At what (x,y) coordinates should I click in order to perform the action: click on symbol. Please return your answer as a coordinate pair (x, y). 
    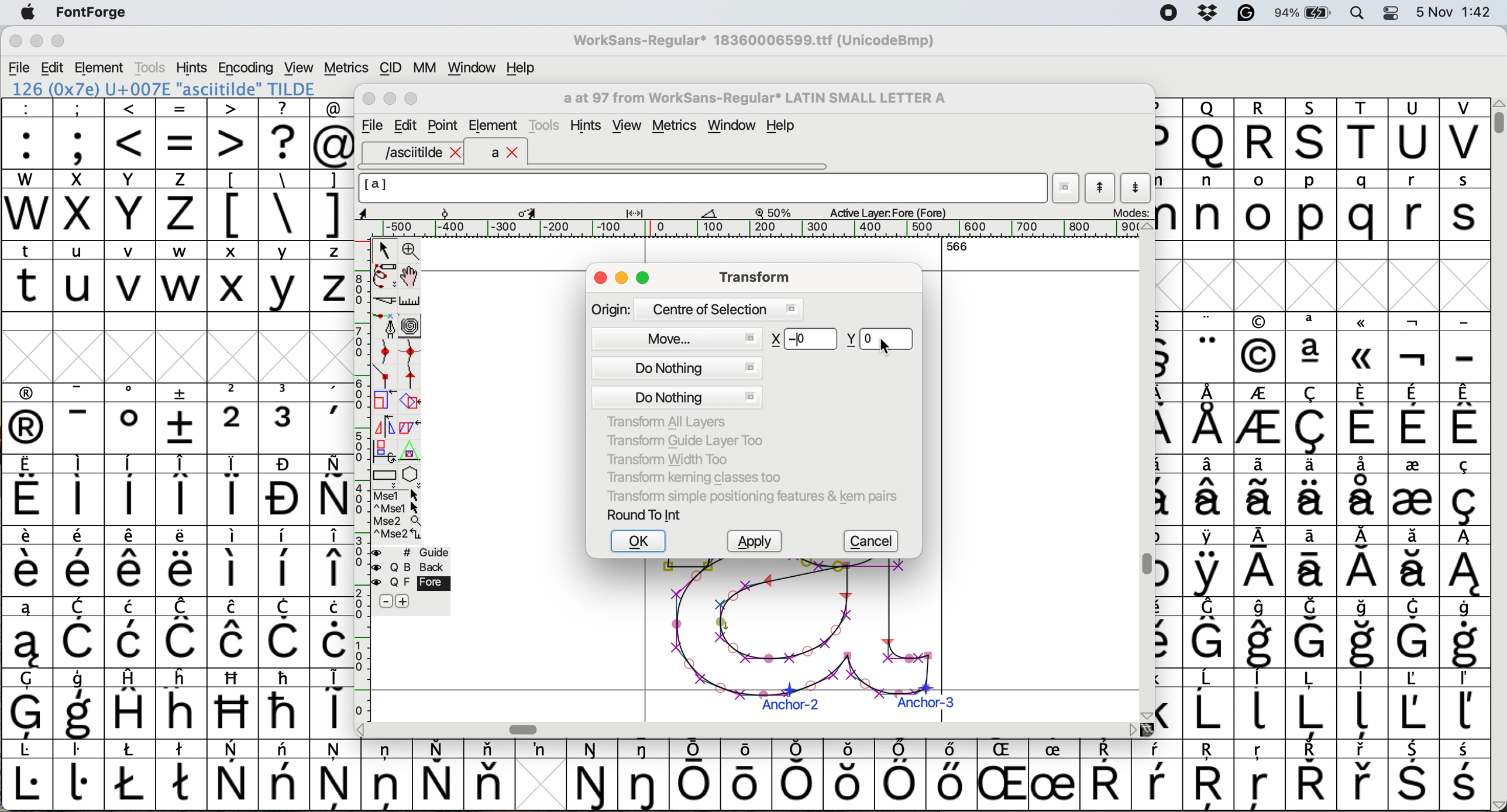
    Looking at the image, I should click on (331, 490).